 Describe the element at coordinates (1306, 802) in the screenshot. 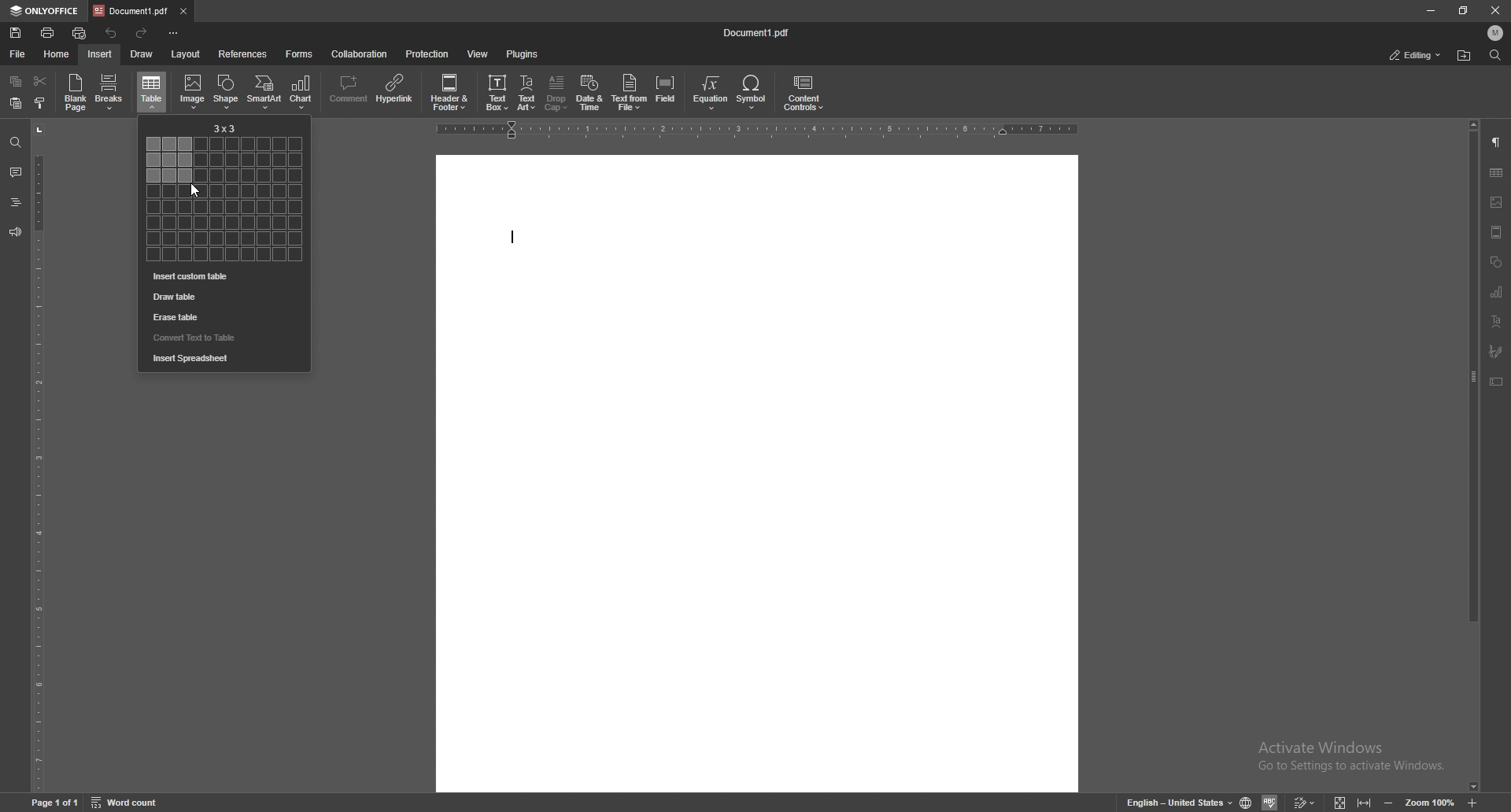

I see `track changes` at that location.